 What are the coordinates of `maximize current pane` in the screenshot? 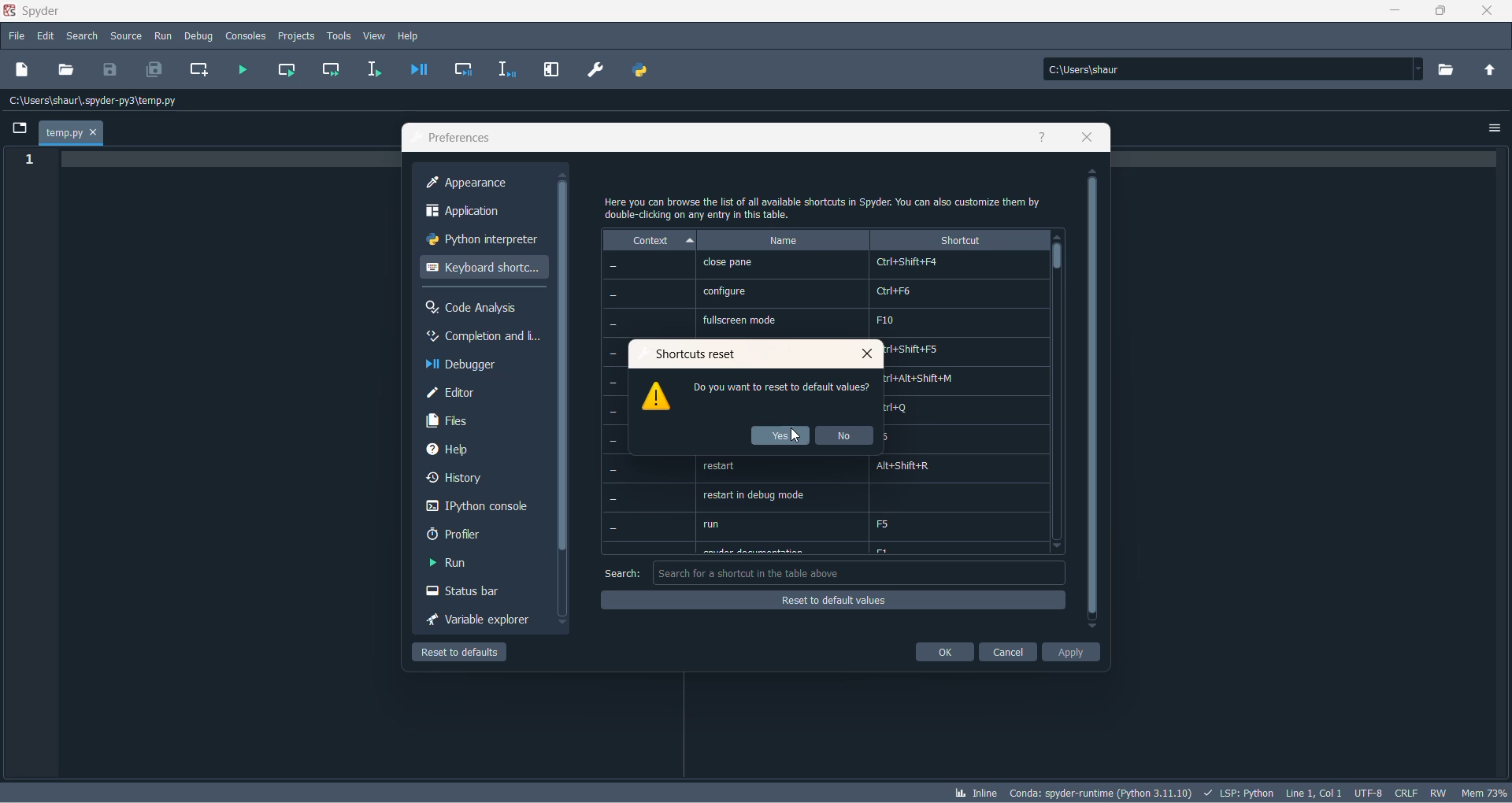 It's located at (552, 70).